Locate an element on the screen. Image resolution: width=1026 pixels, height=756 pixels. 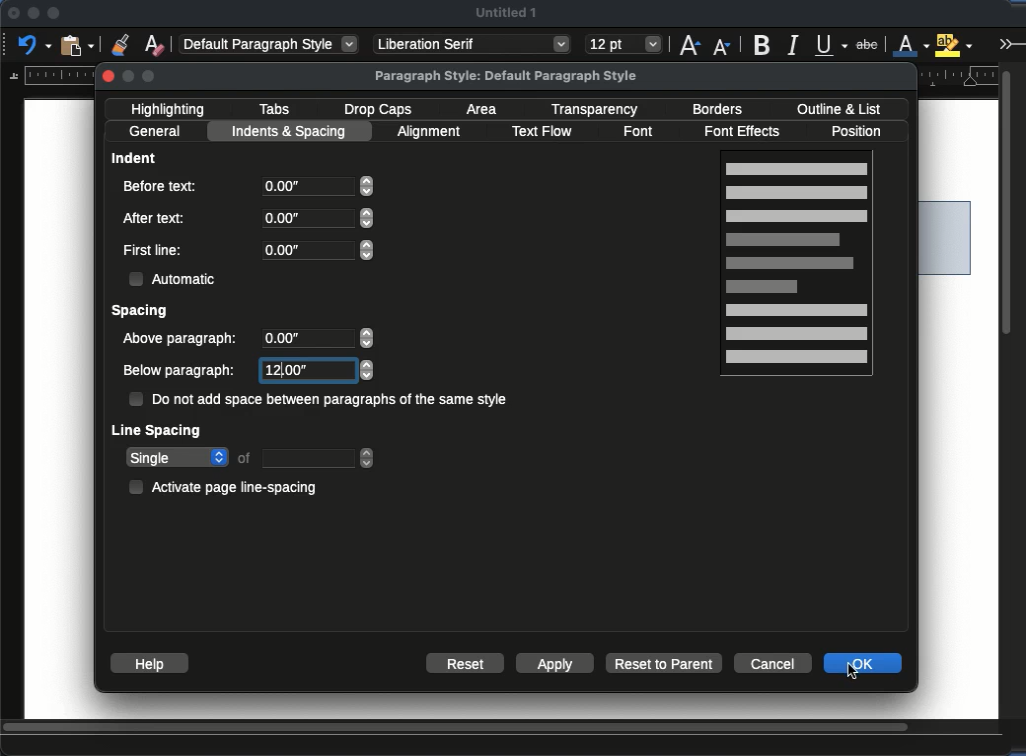
drop caps is located at coordinates (378, 111).